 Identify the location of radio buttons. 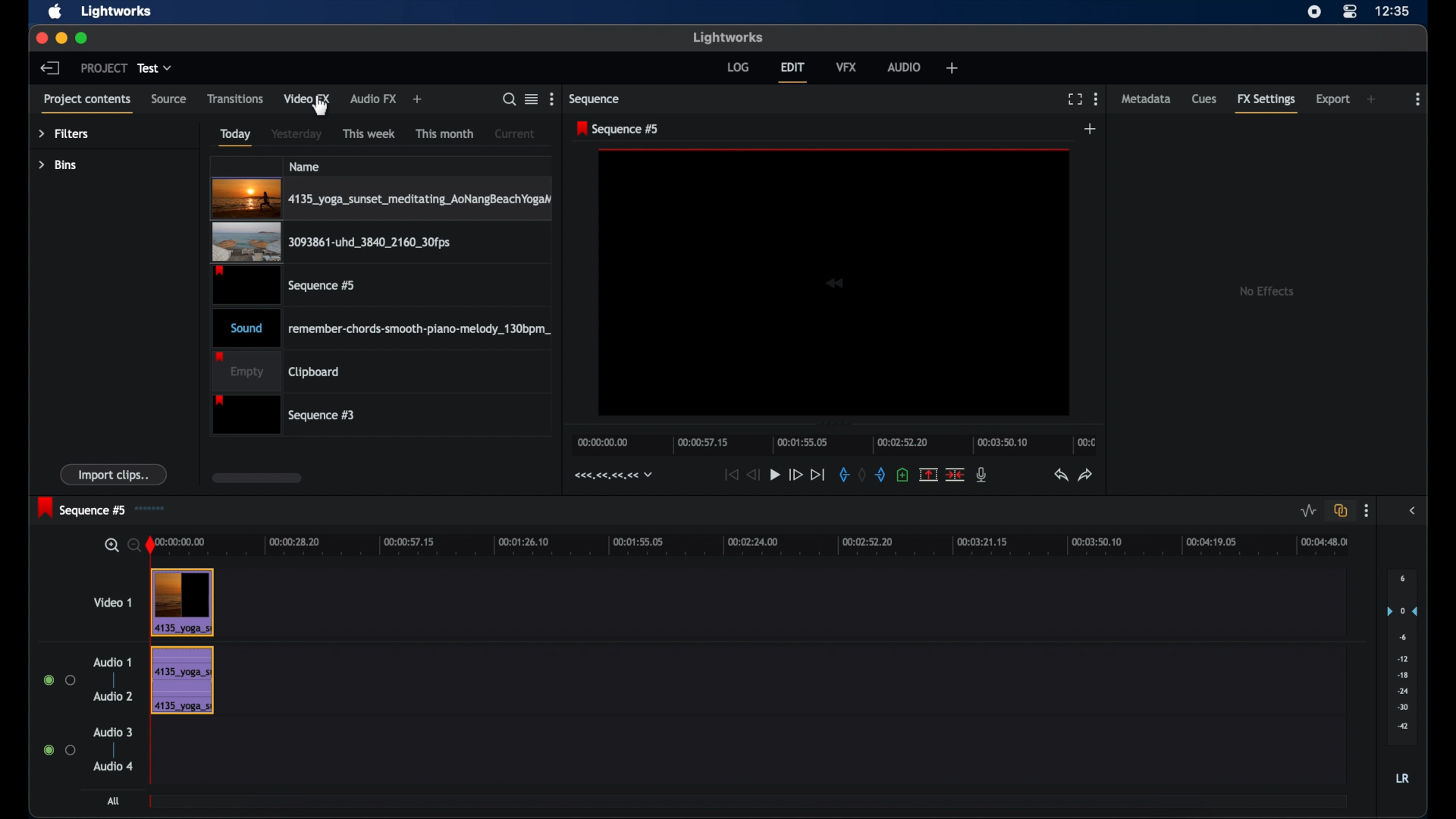
(60, 680).